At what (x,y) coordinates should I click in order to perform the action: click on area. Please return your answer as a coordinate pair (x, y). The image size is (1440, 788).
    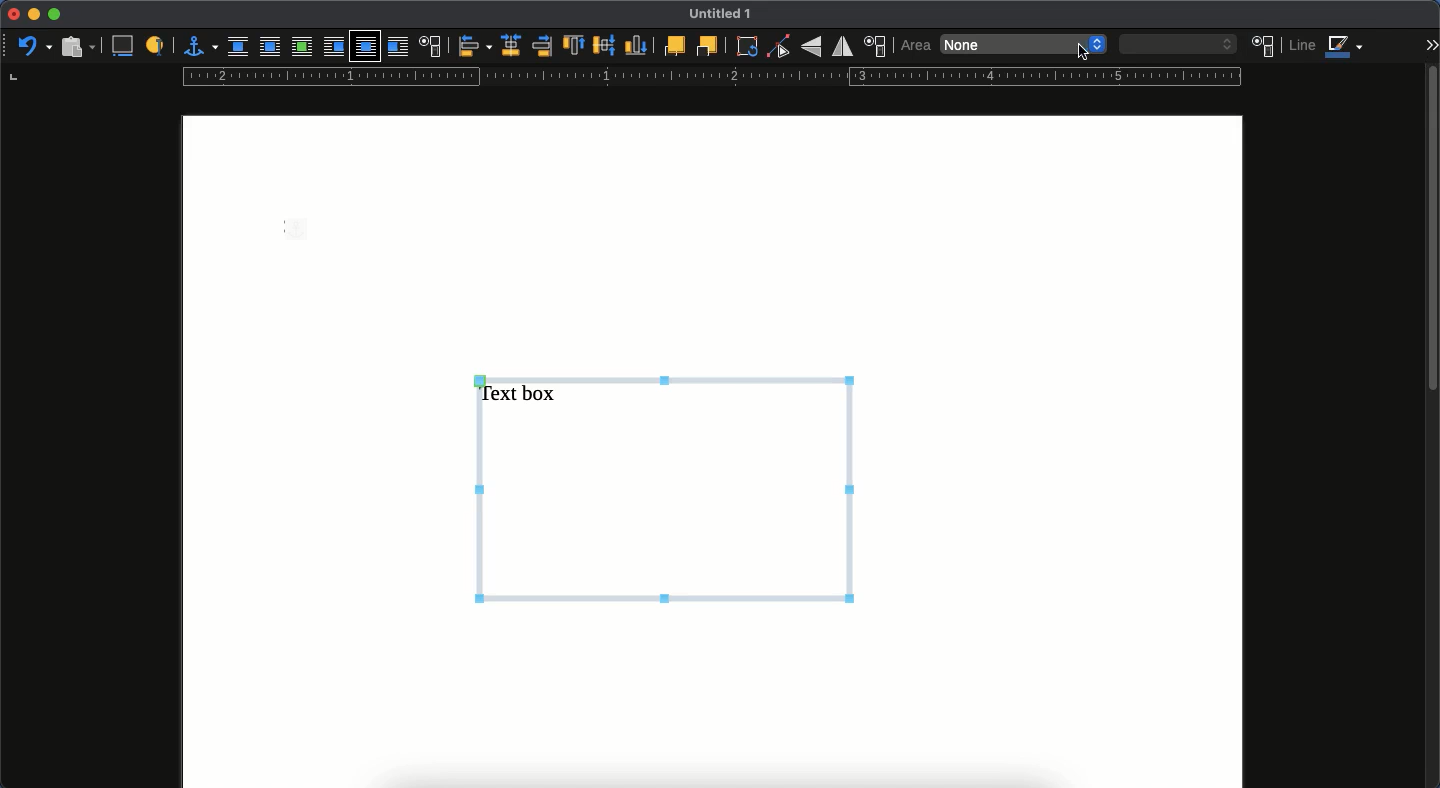
    Looking at the image, I should click on (916, 45).